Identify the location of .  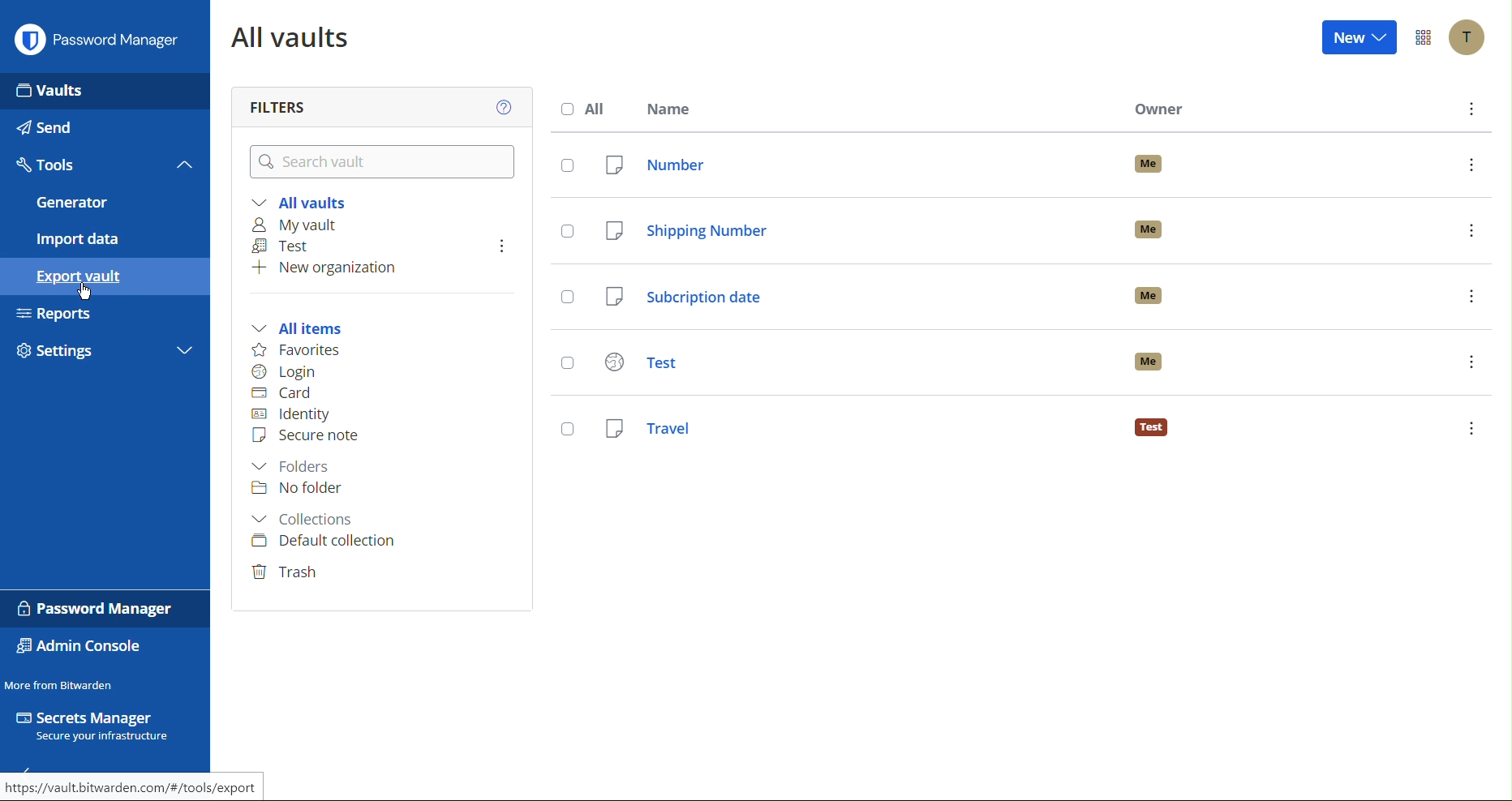
(565, 231).